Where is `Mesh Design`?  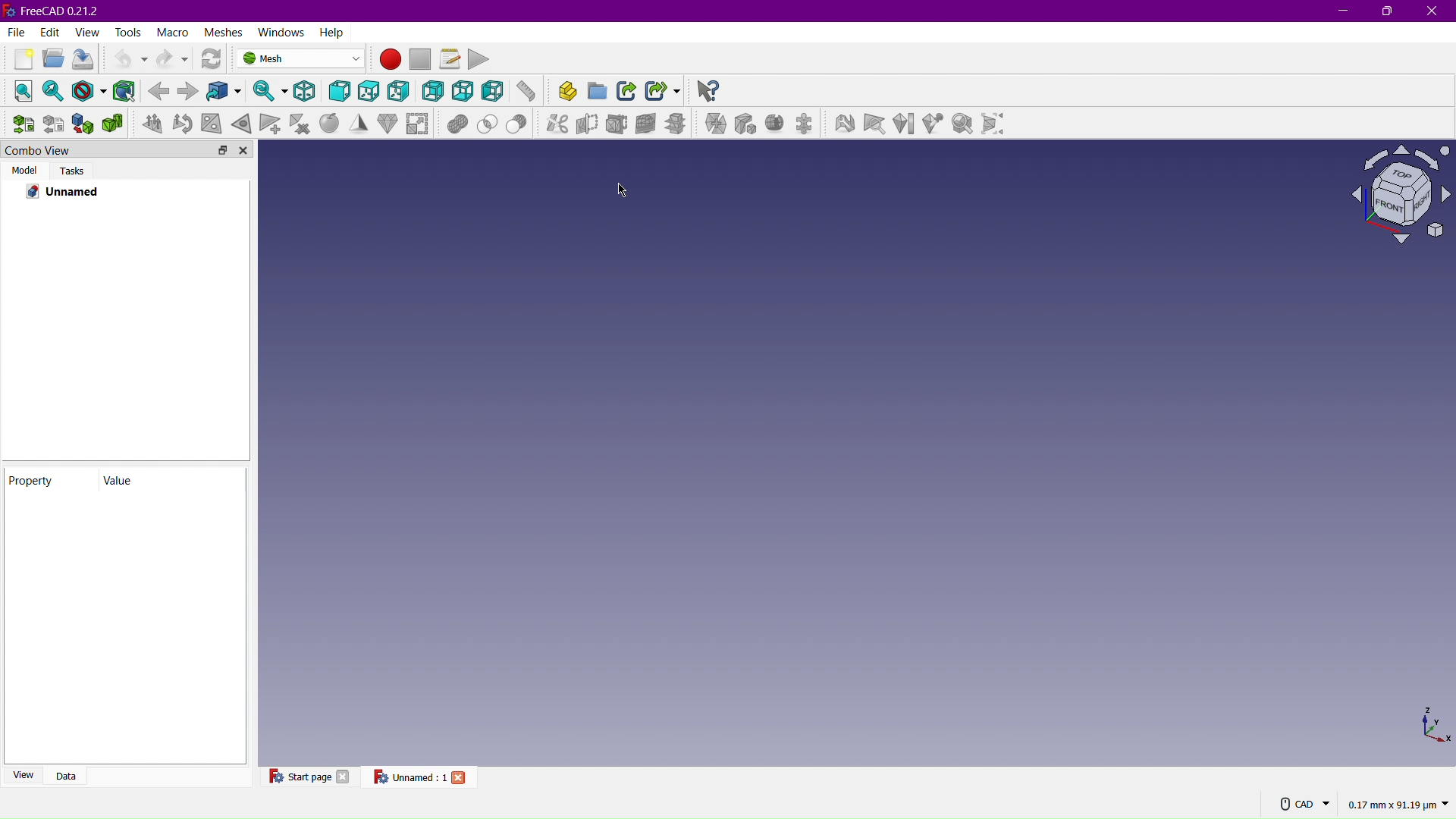
Mesh Design is located at coordinates (301, 58).